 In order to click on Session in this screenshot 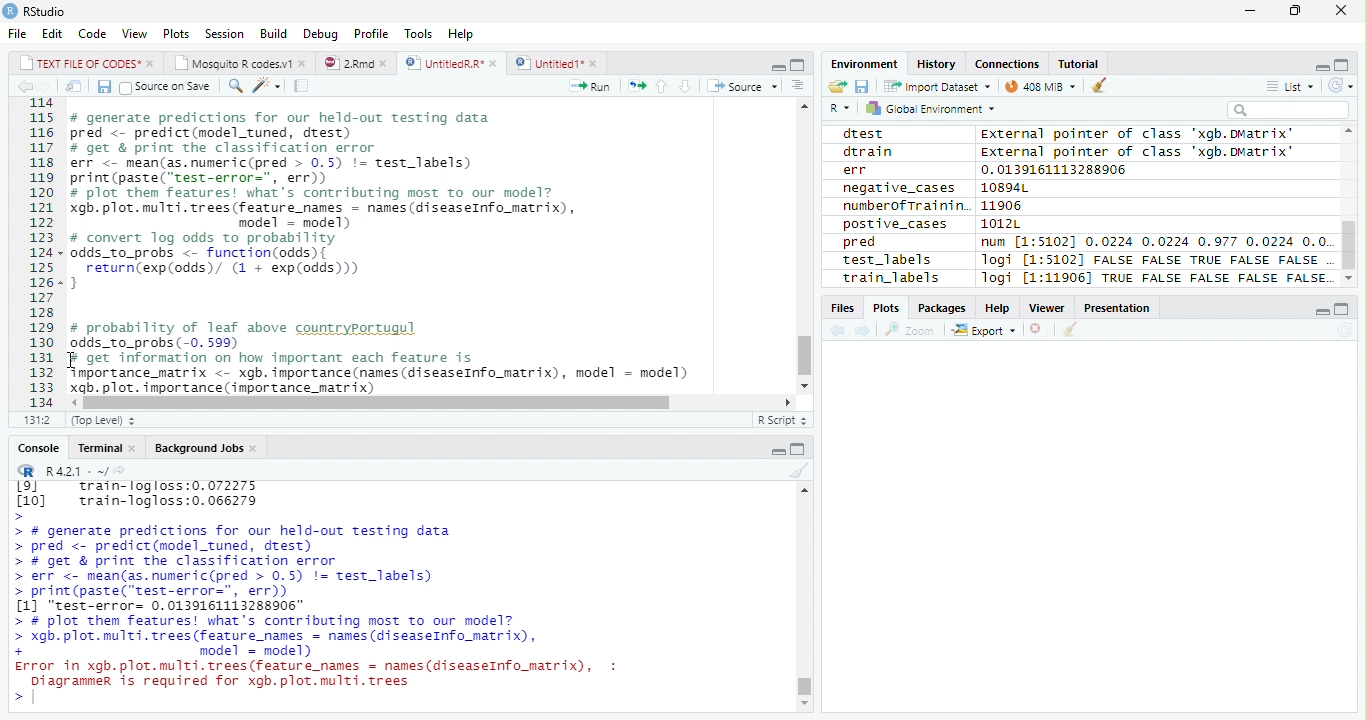, I will do `click(225, 33)`.